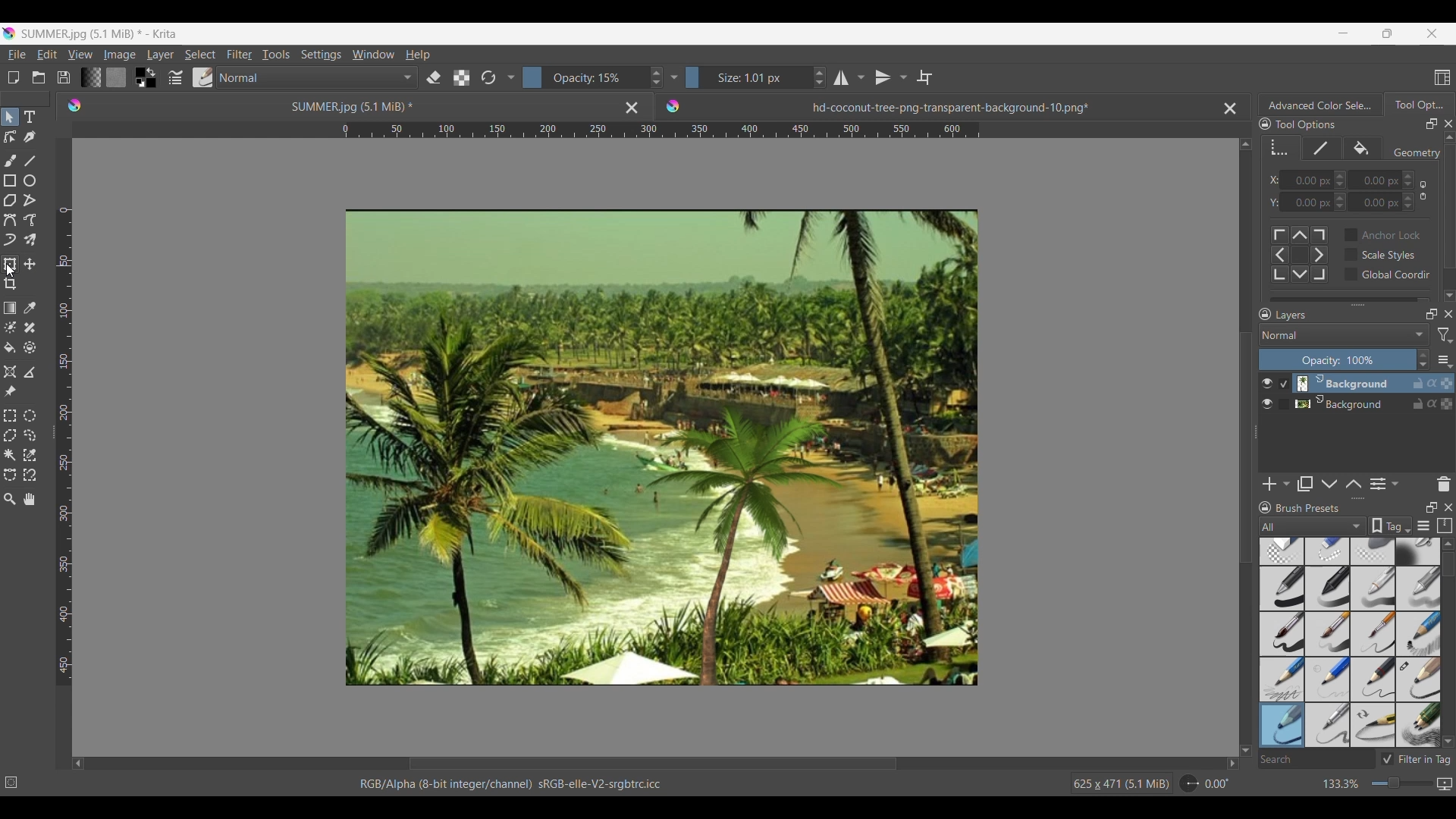 The image size is (1456, 819). What do you see at coordinates (16, 55) in the screenshot?
I see `File` at bounding box center [16, 55].